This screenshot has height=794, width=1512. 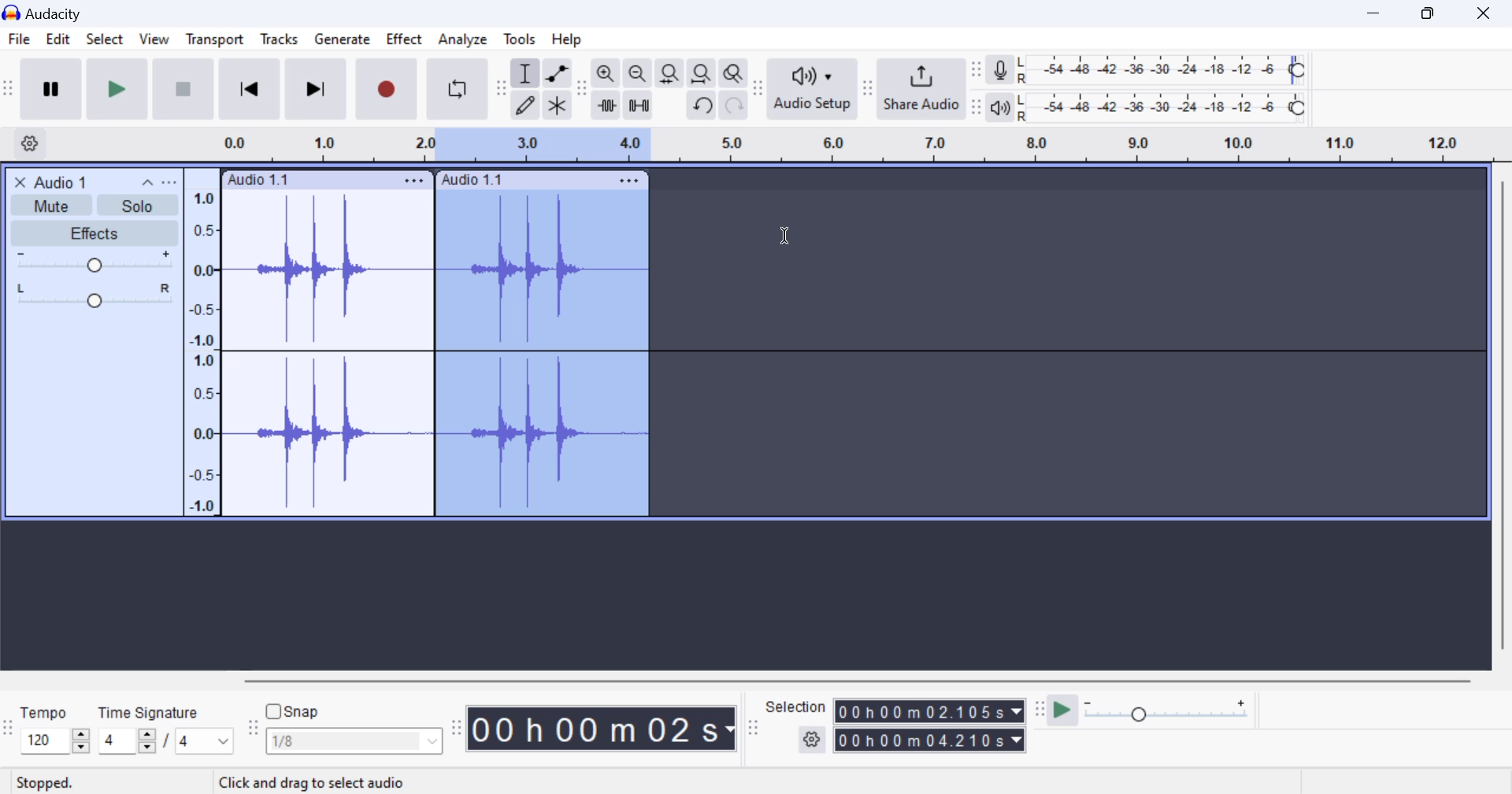 What do you see at coordinates (104, 43) in the screenshot?
I see `Select` at bounding box center [104, 43].